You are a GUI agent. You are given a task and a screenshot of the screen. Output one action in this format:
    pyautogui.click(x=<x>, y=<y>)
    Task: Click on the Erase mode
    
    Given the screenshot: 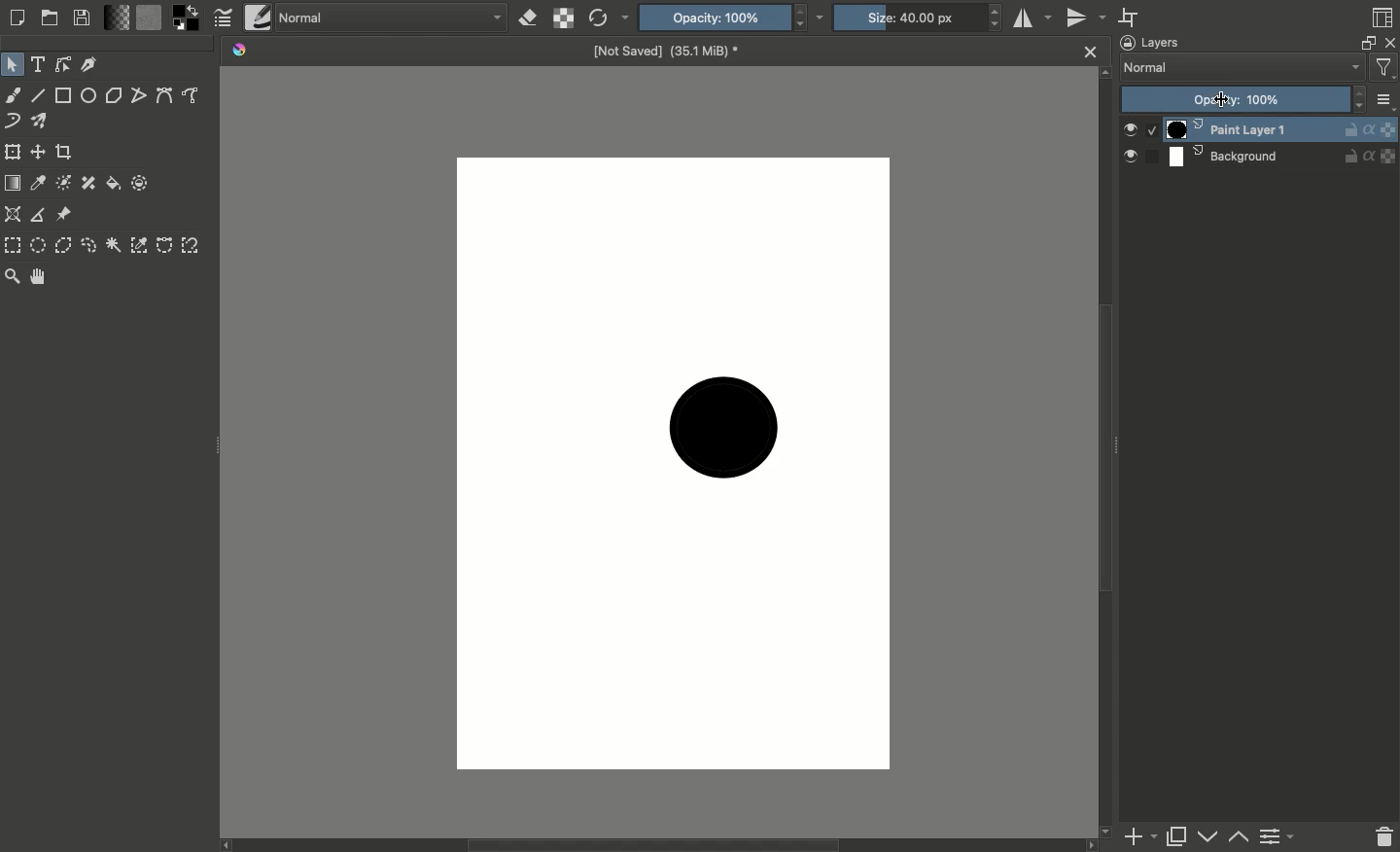 What is the action you would take?
    pyautogui.click(x=530, y=18)
    